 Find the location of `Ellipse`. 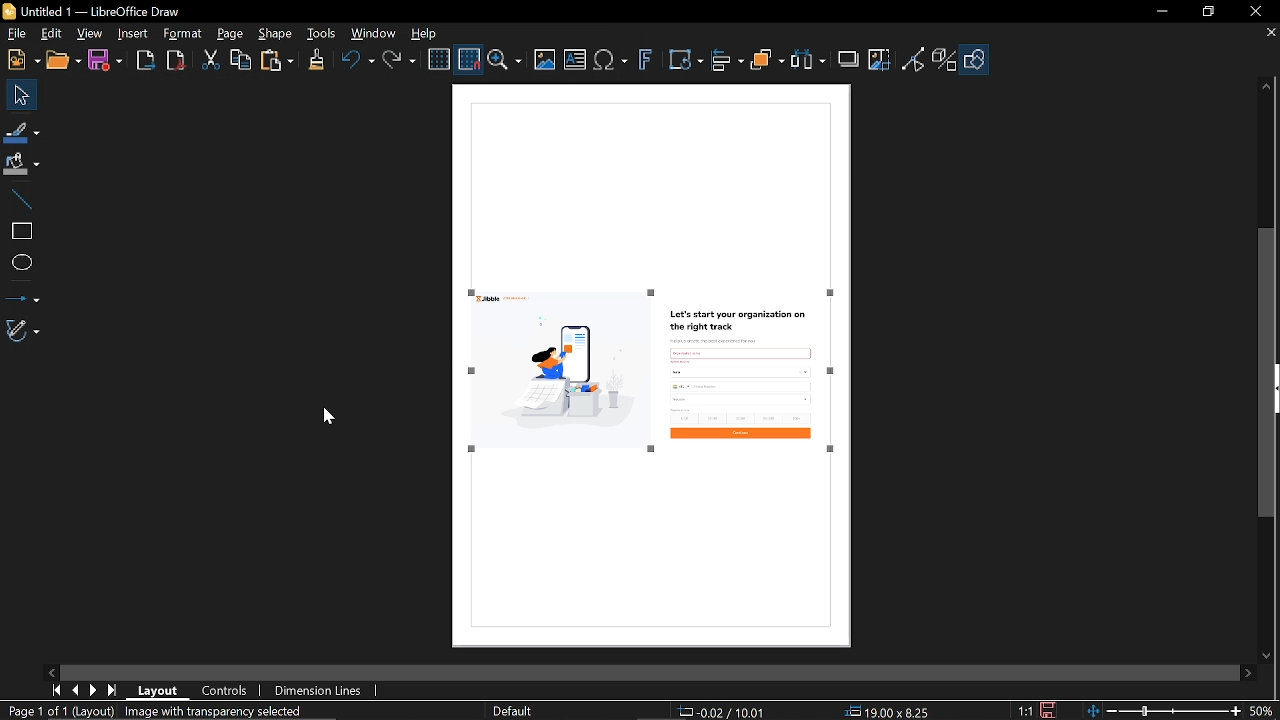

Ellipse is located at coordinates (19, 261).